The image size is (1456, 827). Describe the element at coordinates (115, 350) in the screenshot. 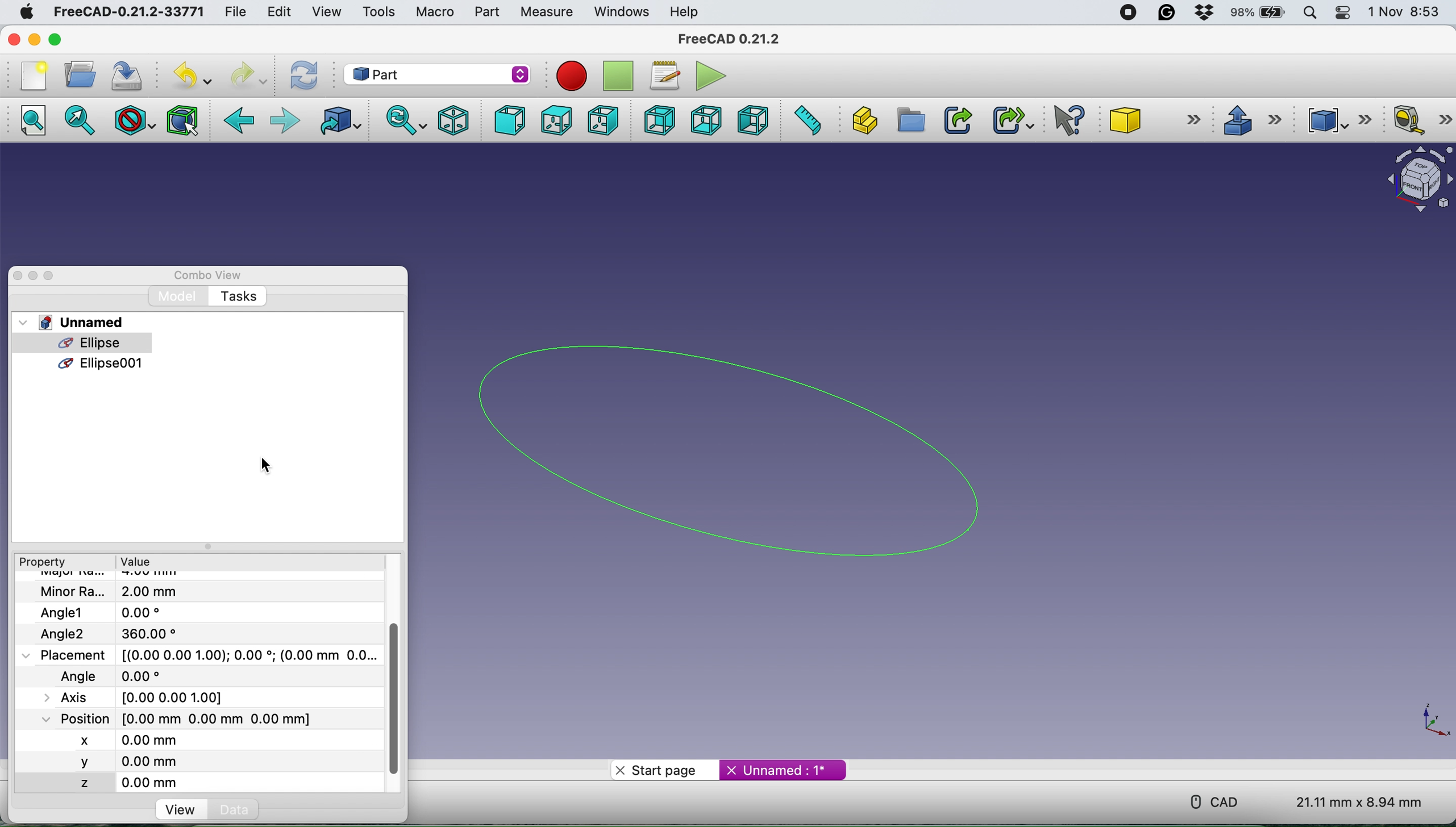

I see `cursor` at that location.